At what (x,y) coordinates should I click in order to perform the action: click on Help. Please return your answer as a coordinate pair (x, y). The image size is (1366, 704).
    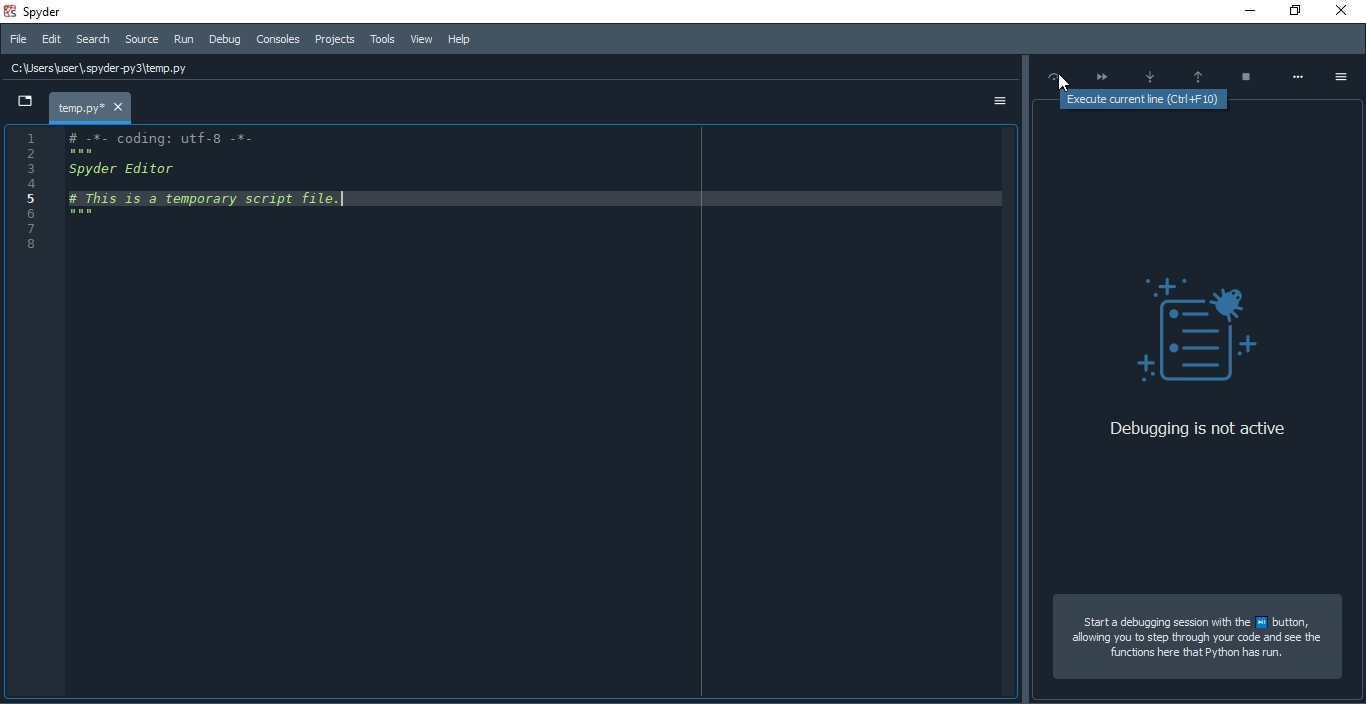
    Looking at the image, I should click on (460, 39).